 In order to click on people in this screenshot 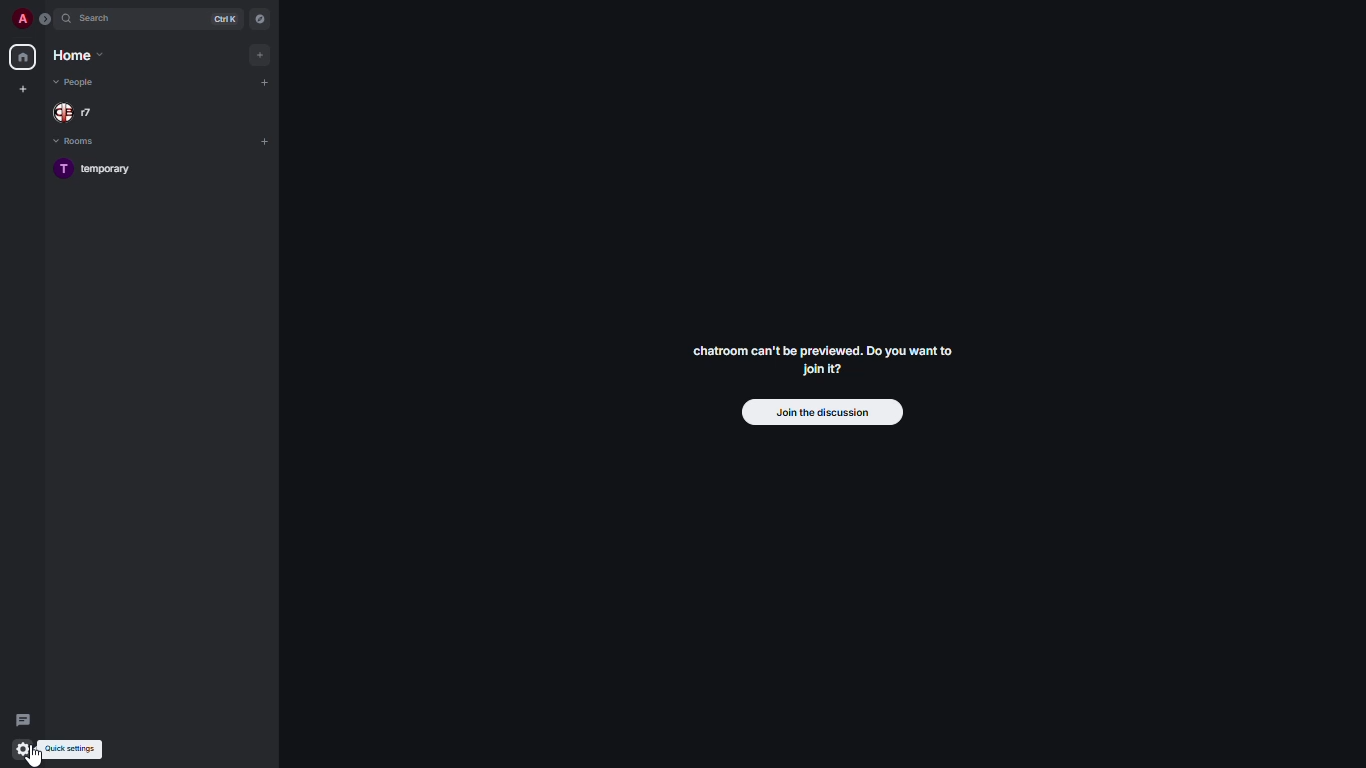, I will do `click(80, 83)`.